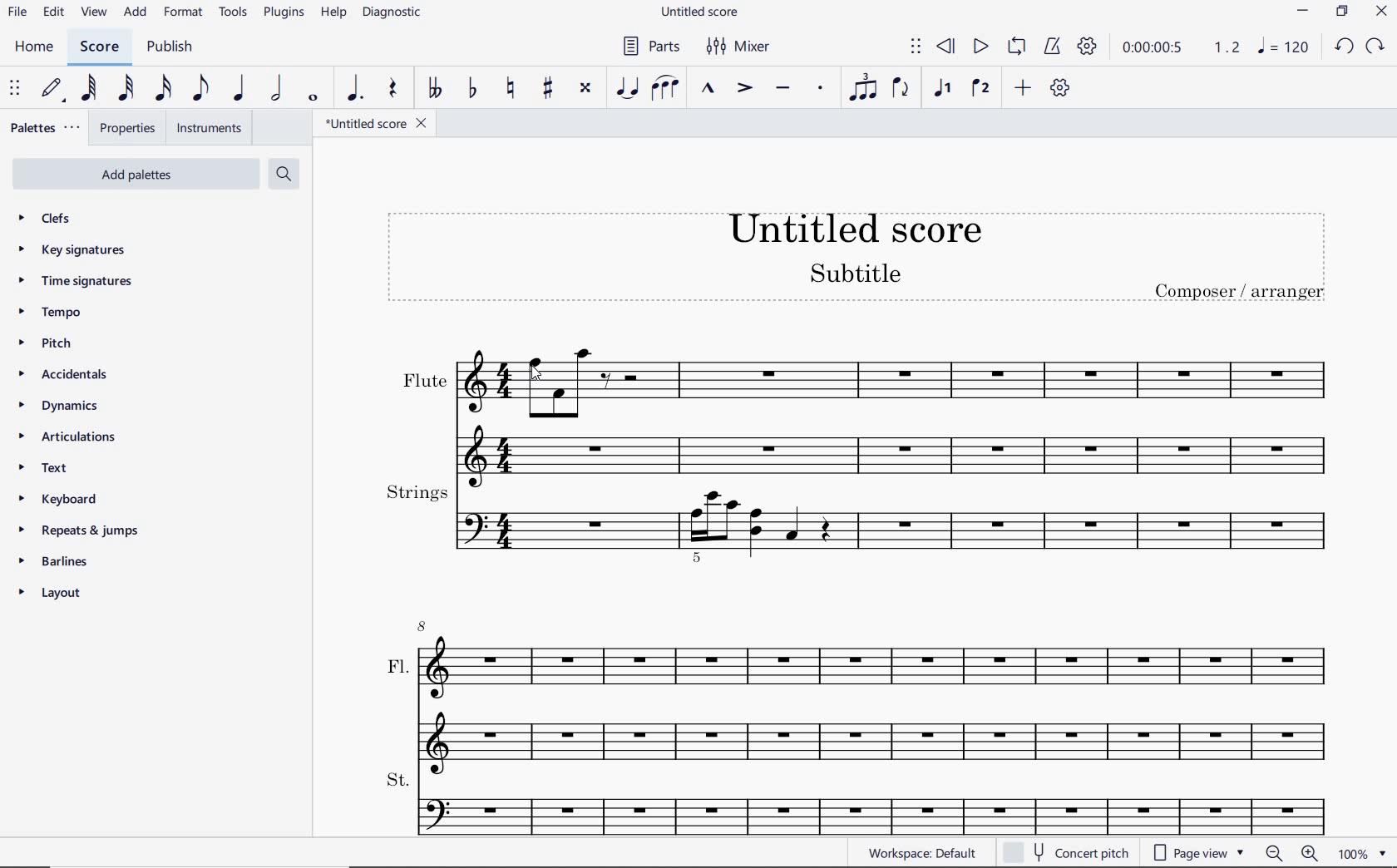 The height and width of the screenshot is (868, 1397). What do you see at coordinates (1364, 853) in the screenshot?
I see `zoom factor` at bounding box center [1364, 853].